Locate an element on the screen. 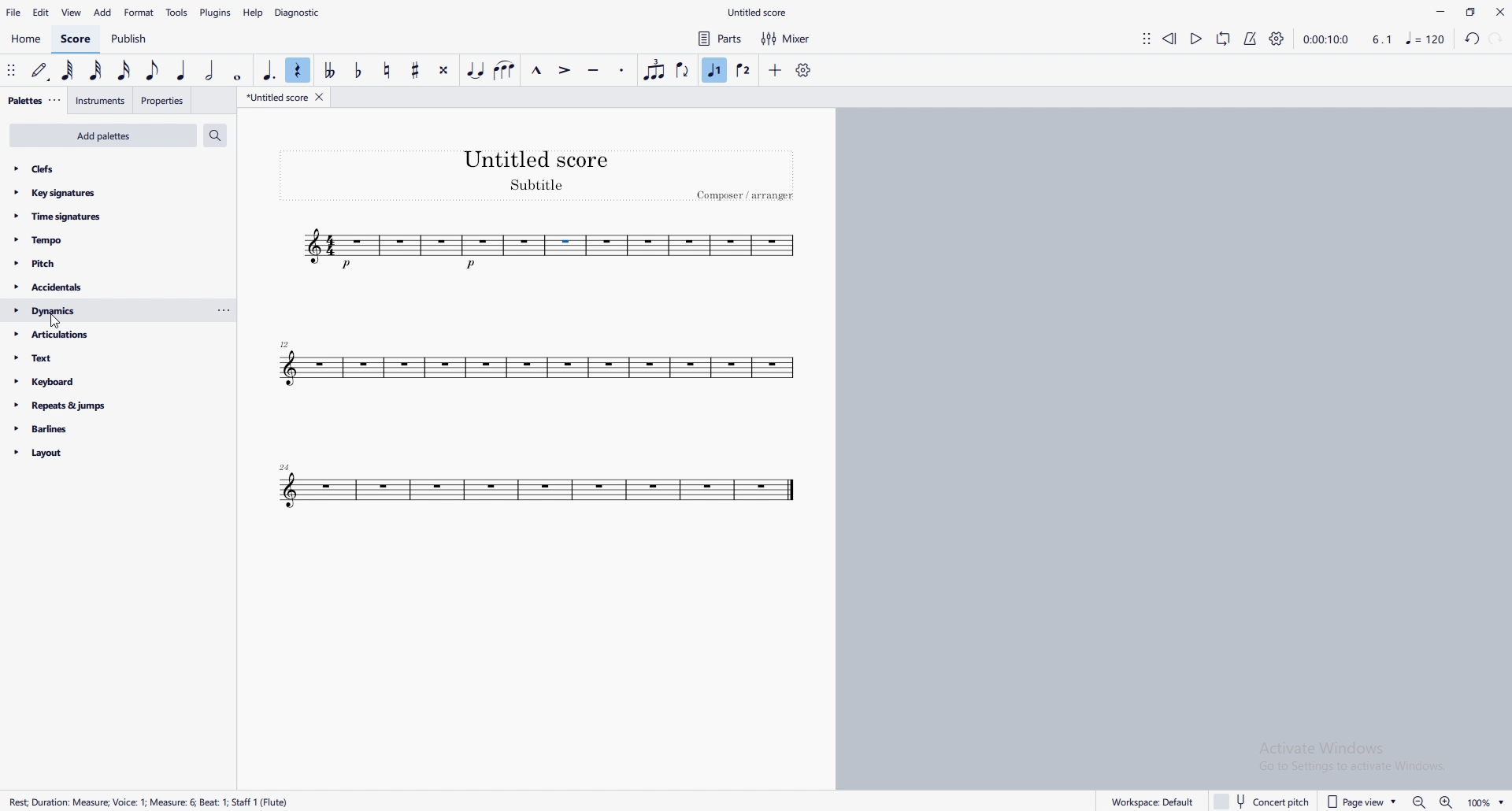 Image resolution: width=1512 pixels, height=811 pixels. add is located at coordinates (775, 71).